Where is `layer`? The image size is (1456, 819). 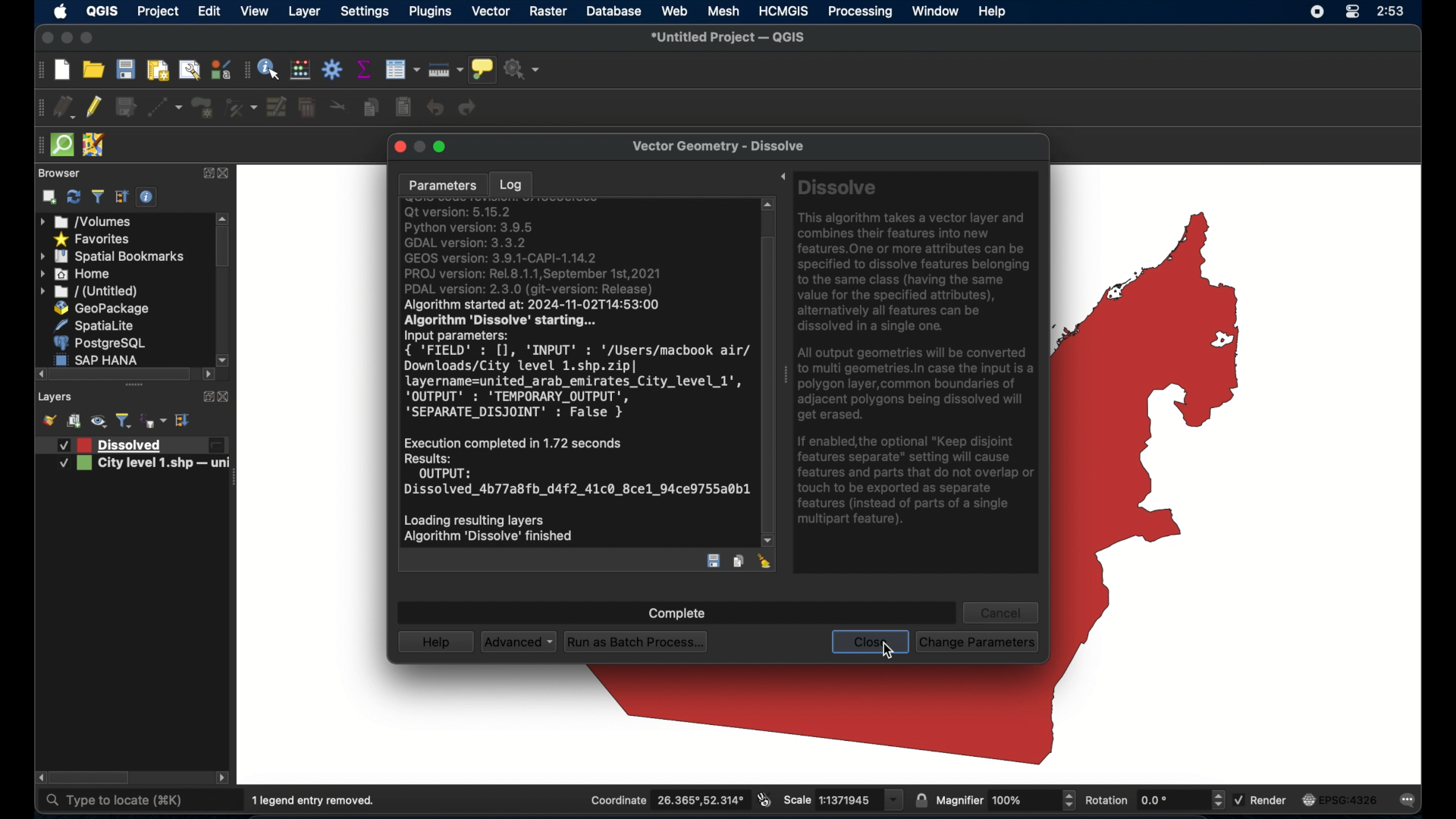
layer is located at coordinates (305, 13).